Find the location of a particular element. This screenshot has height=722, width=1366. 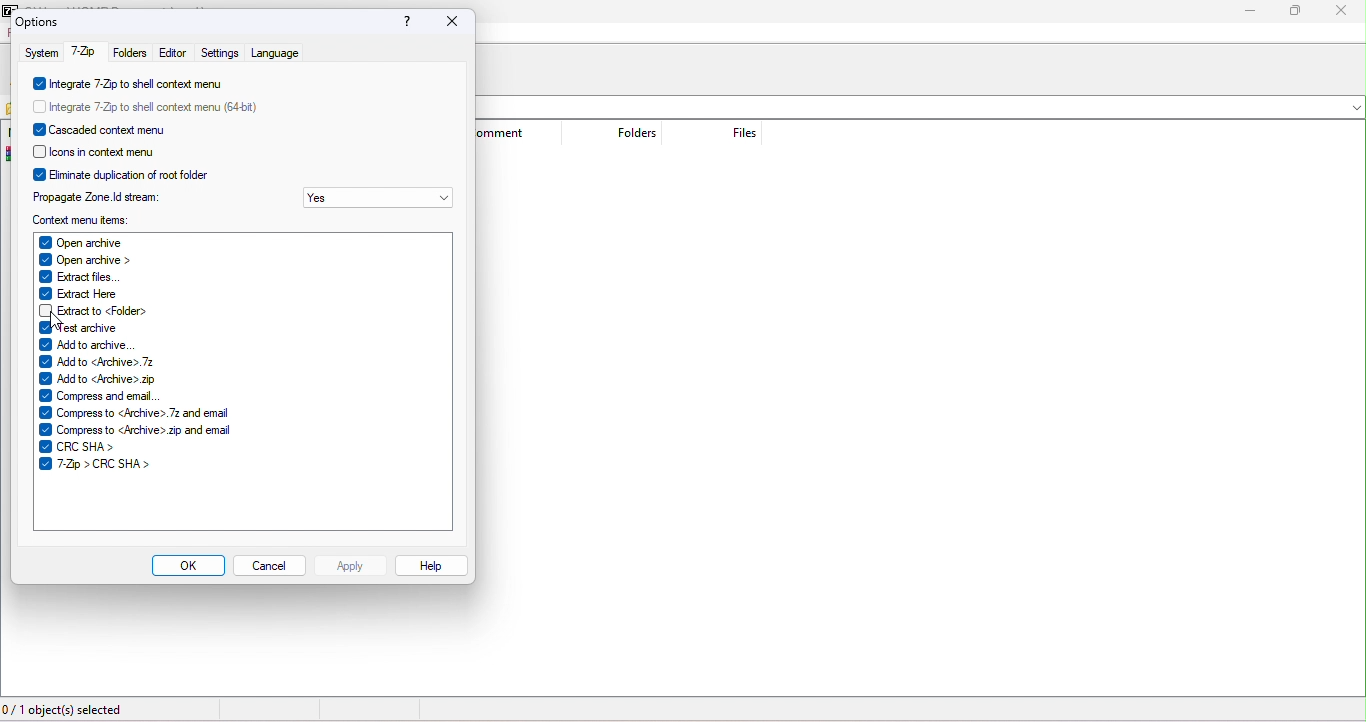

close is located at coordinates (448, 21).